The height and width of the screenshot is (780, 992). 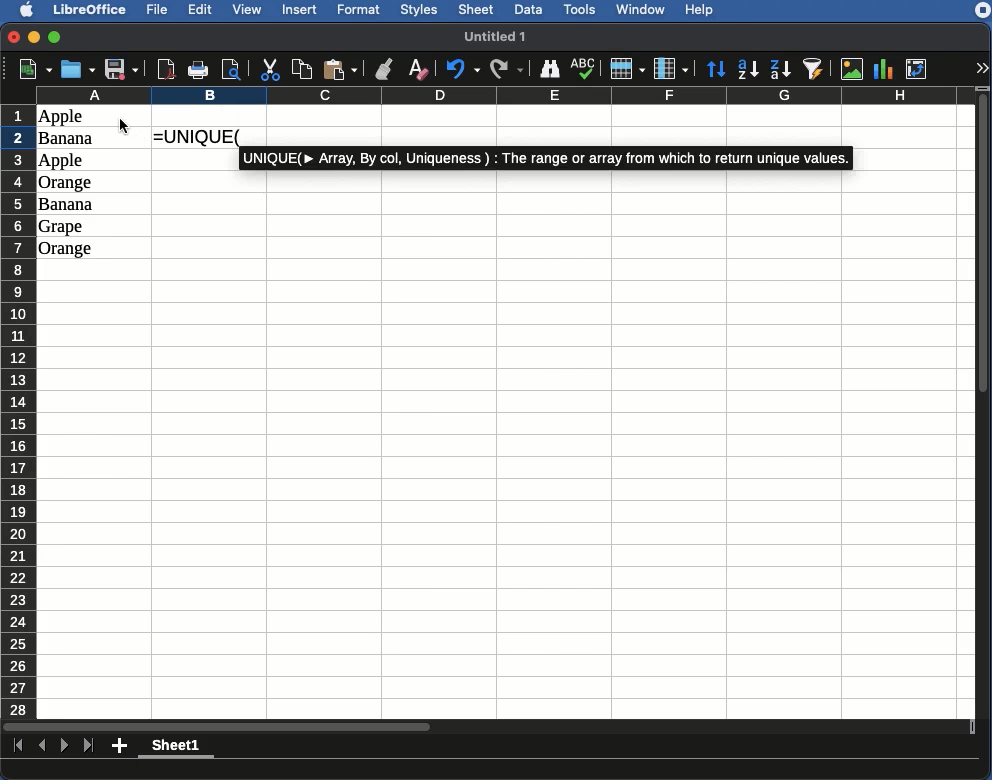 I want to click on Image, so click(x=852, y=68).